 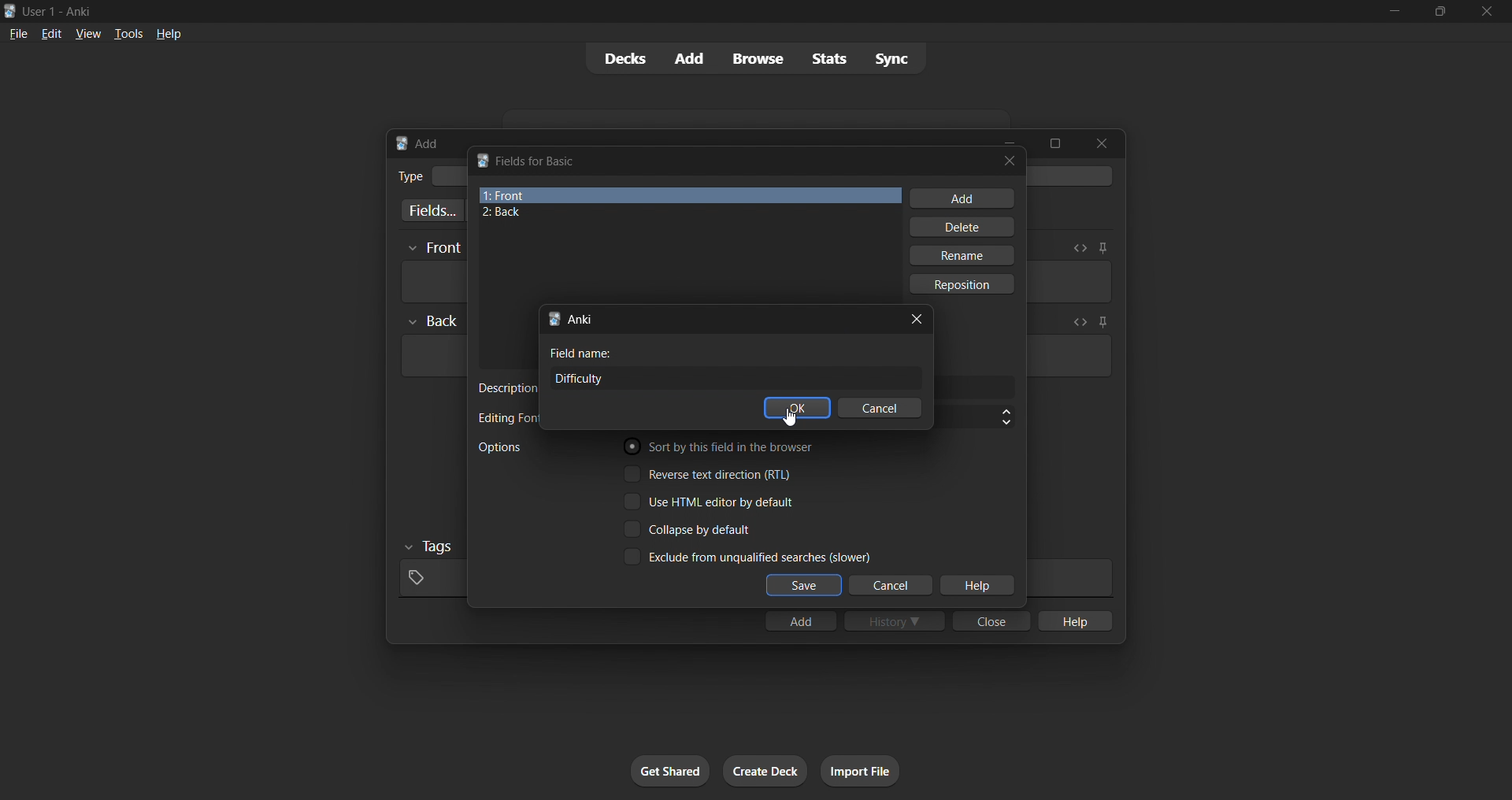 What do you see at coordinates (538, 161) in the screenshot?
I see `customize fields title bar` at bounding box center [538, 161].